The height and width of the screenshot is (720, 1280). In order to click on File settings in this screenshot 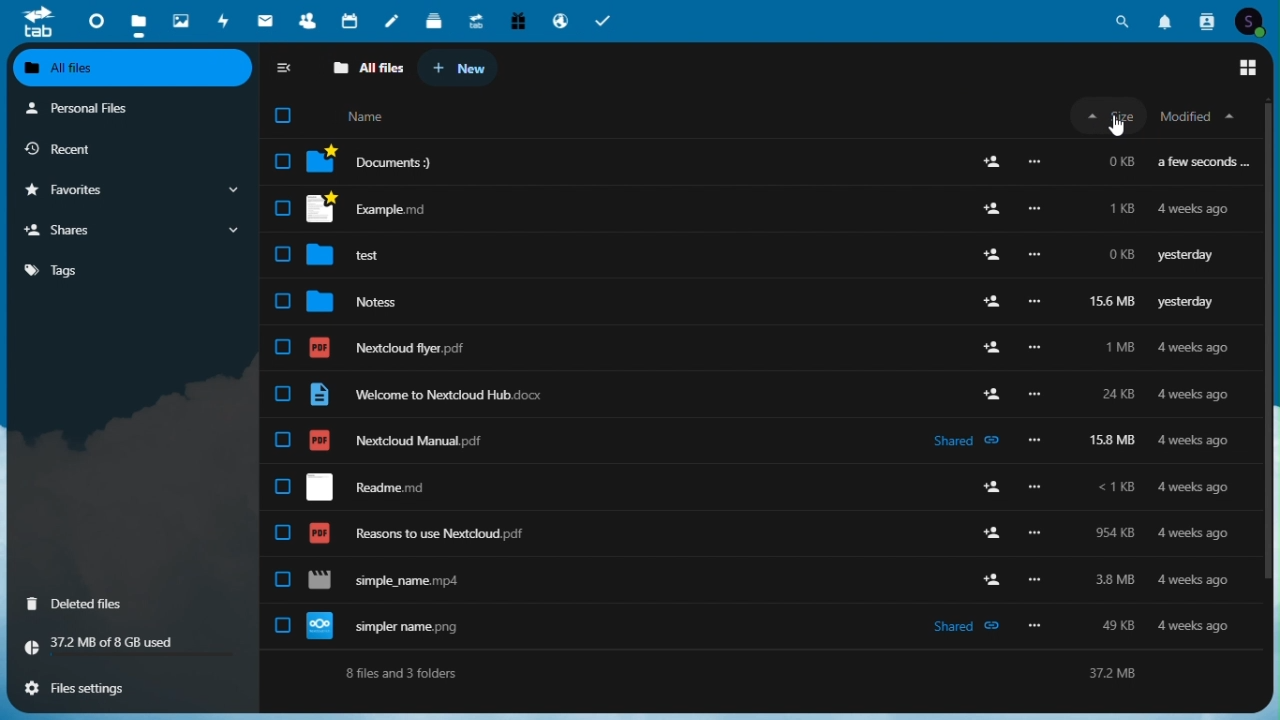, I will do `click(127, 689)`.